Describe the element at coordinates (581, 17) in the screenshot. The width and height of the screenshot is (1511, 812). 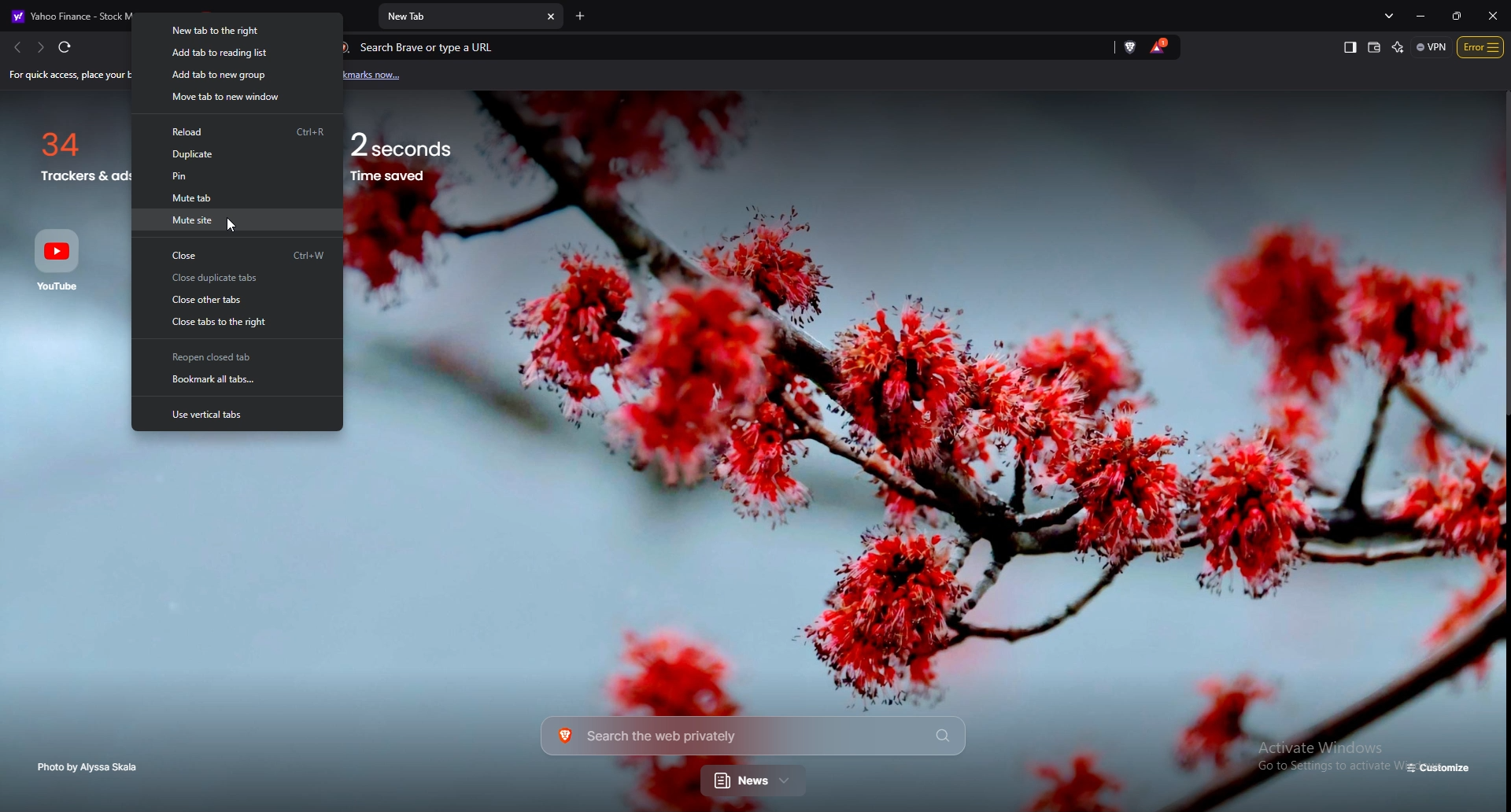
I see `add tab` at that location.